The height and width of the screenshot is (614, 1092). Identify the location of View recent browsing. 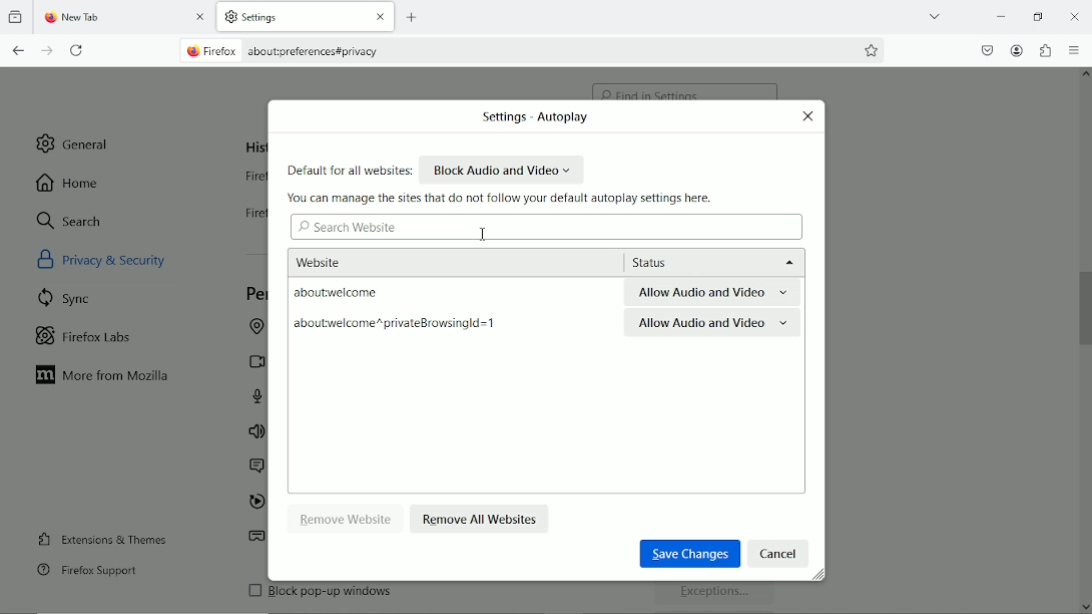
(17, 18).